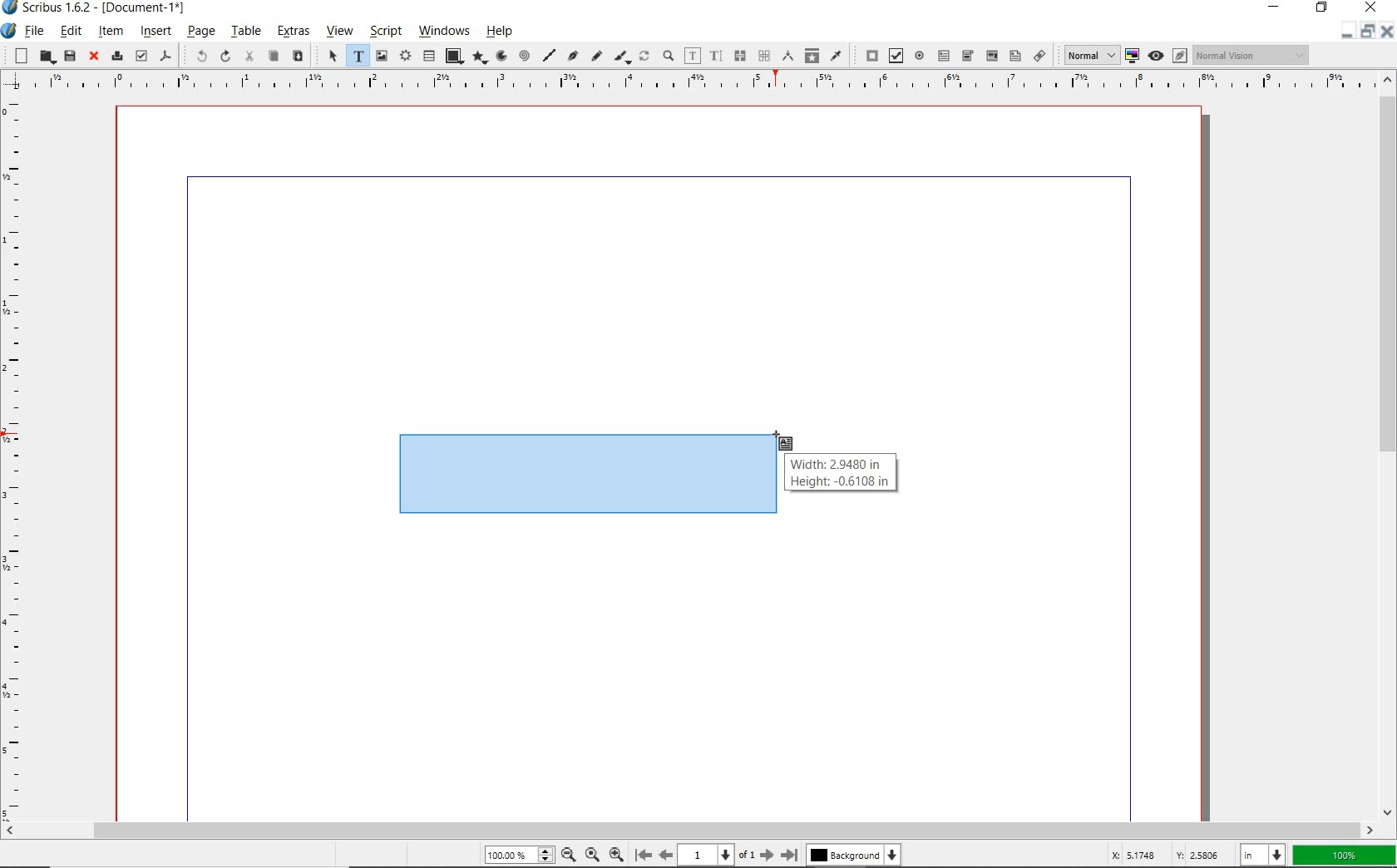 The image size is (1397, 868). Describe the element at coordinates (357, 57) in the screenshot. I see `text frame` at that location.